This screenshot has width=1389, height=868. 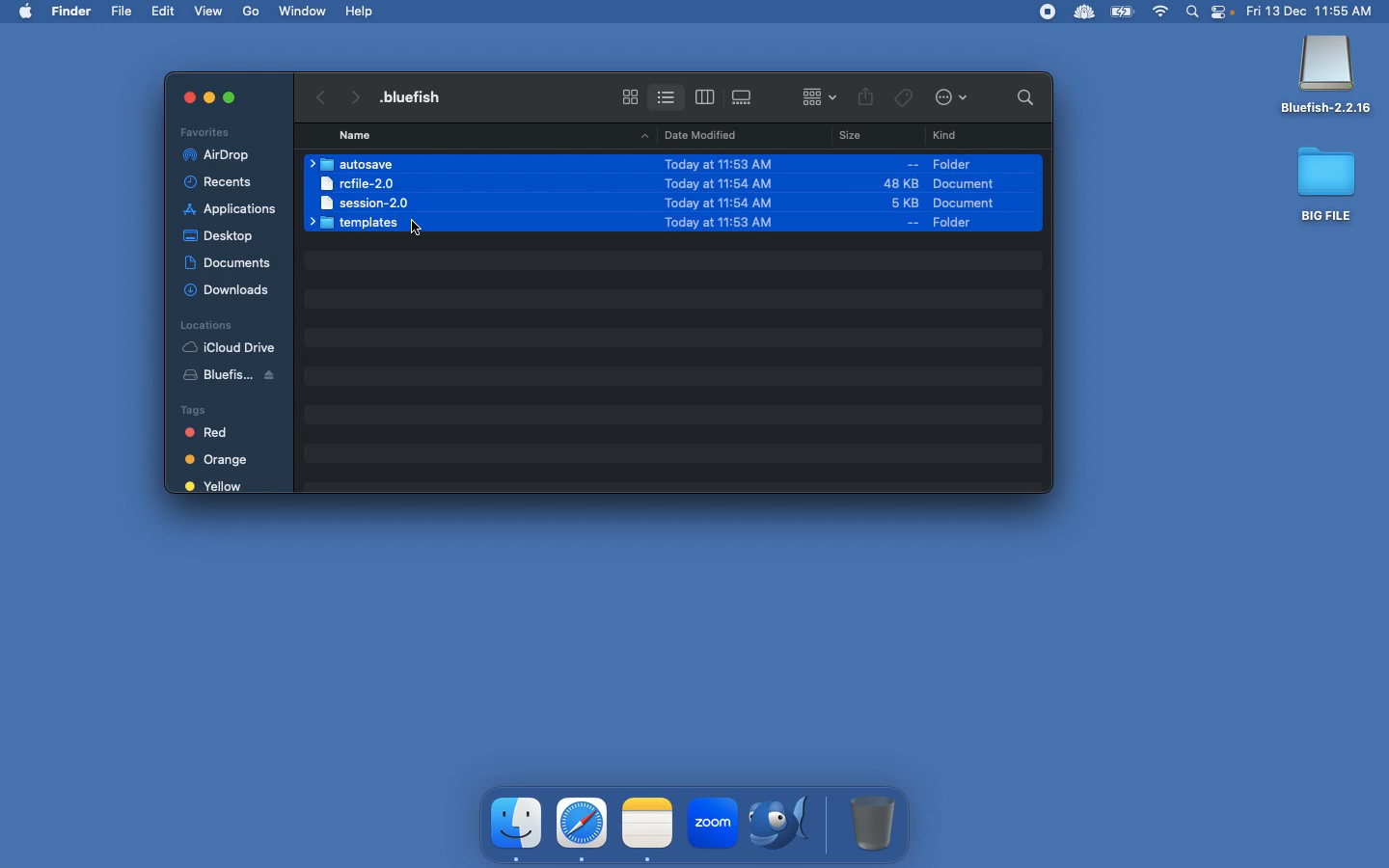 What do you see at coordinates (226, 182) in the screenshot?
I see `recent` at bounding box center [226, 182].